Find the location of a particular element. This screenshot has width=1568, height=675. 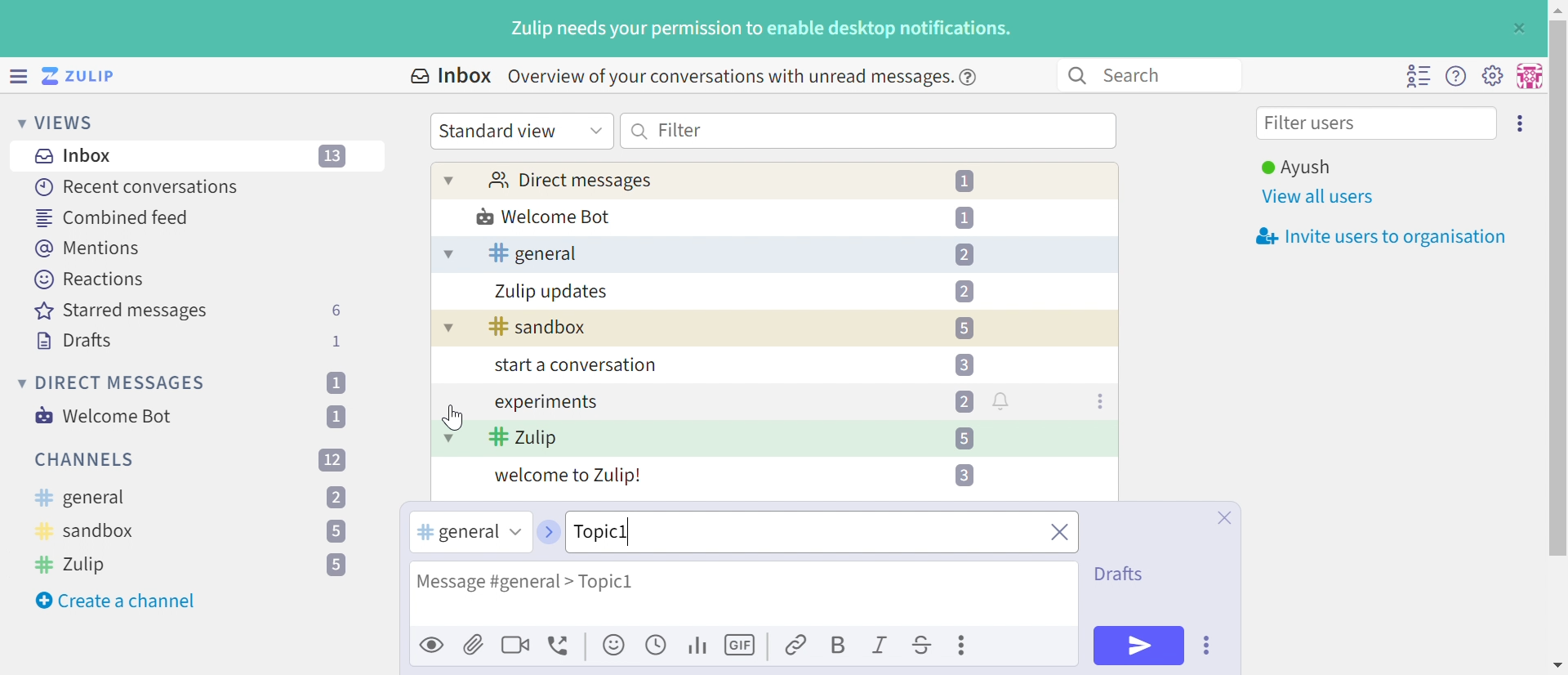

move up is located at coordinates (1557, 8).